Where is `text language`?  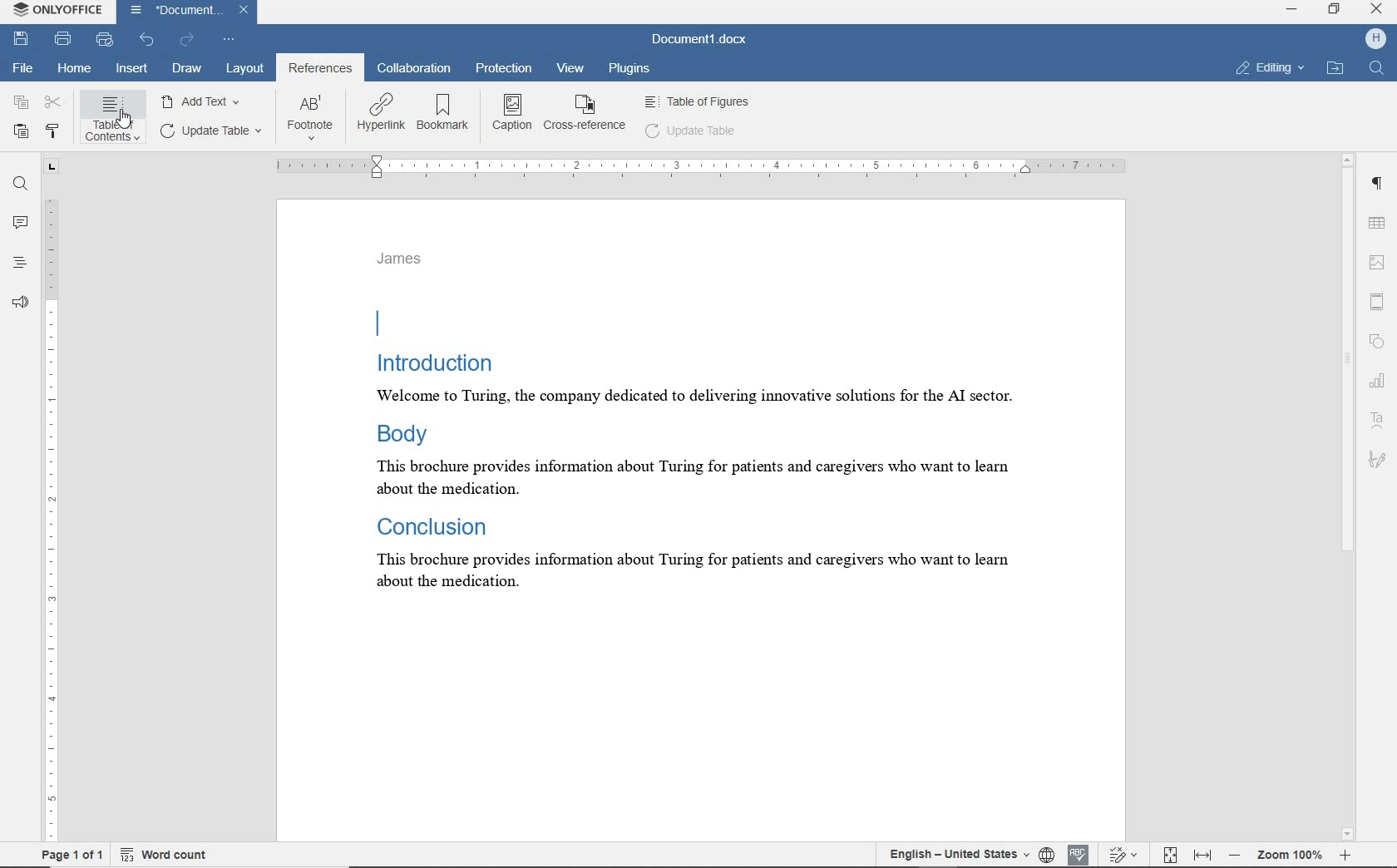 text language is located at coordinates (956, 855).